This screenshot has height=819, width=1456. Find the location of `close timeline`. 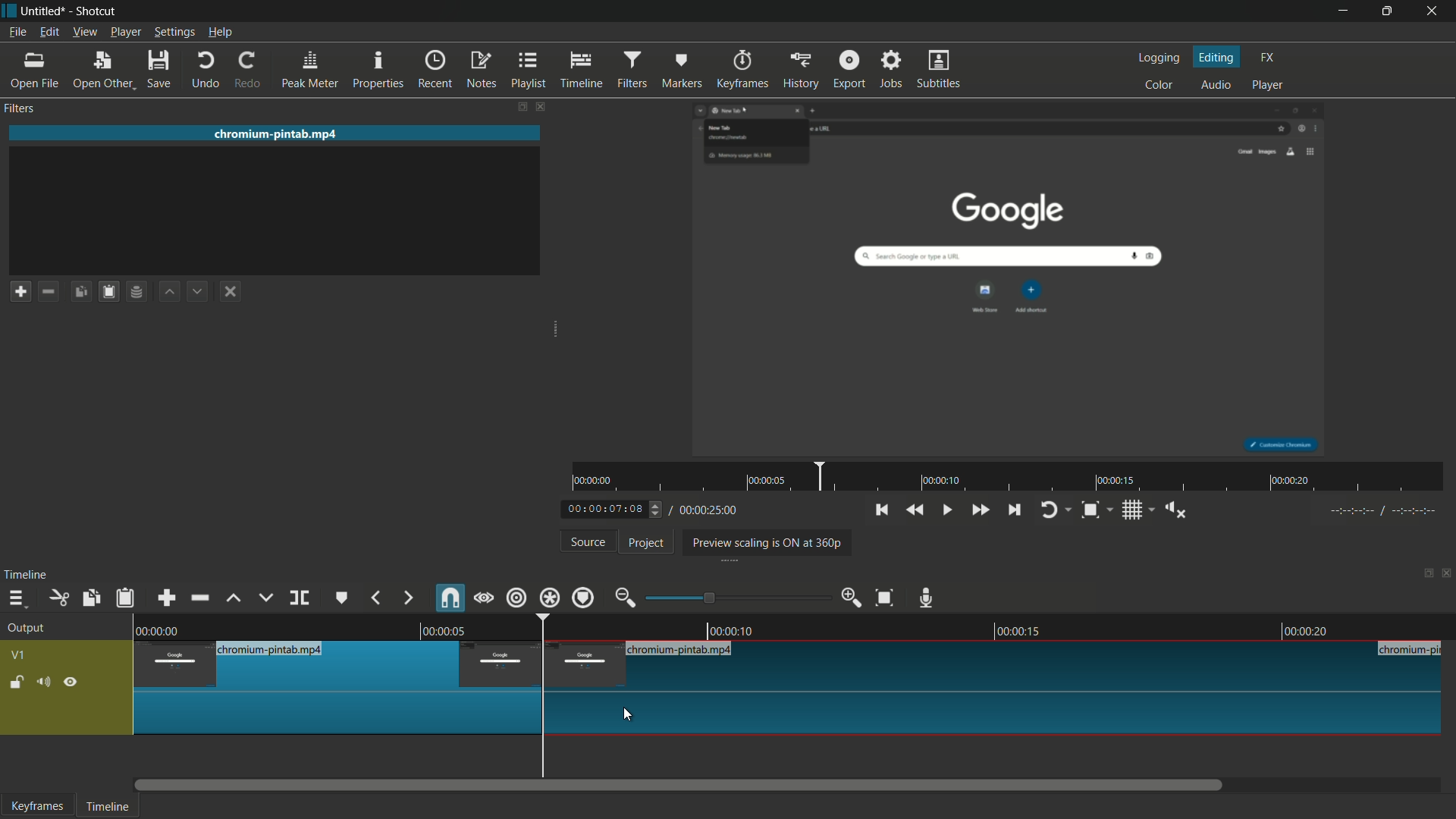

close timeline is located at coordinates (1447, 575).